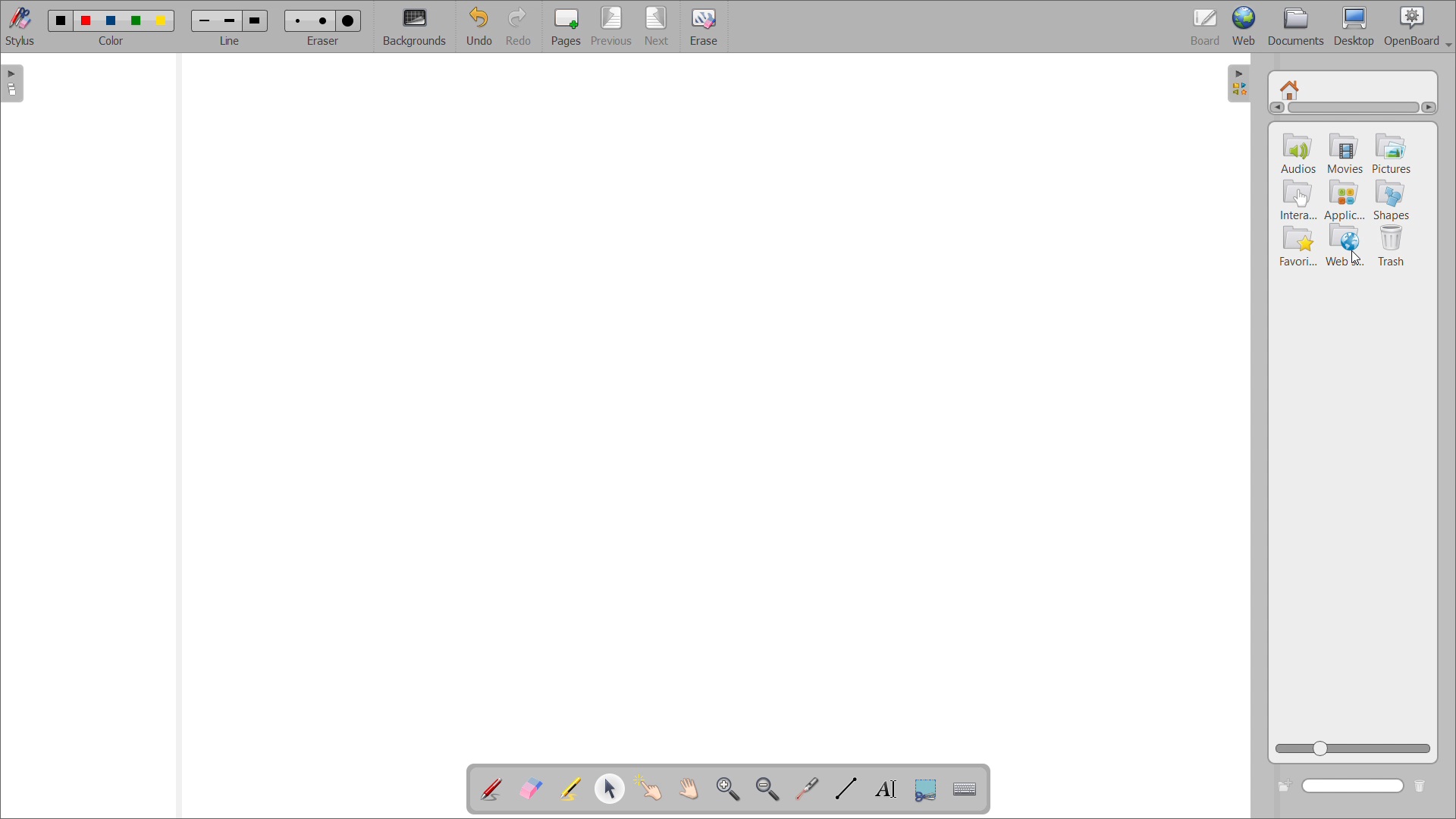  What do you see at coordinates (322, 19) in the screenshot?
I see `Medium eraser` at bounding box center [322, 19].